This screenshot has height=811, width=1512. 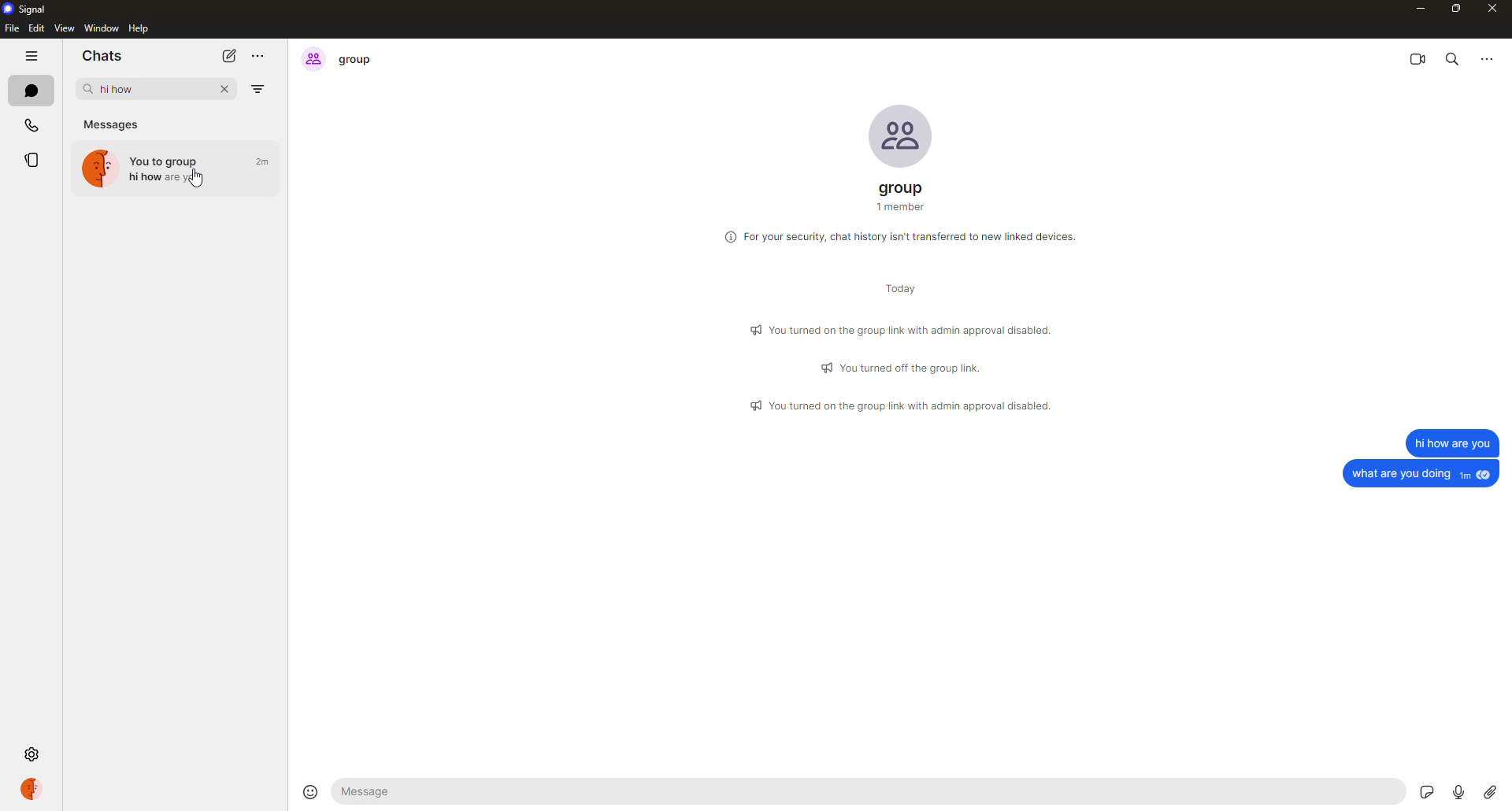 I want to click on stickers, so click(x=1427, y=788).